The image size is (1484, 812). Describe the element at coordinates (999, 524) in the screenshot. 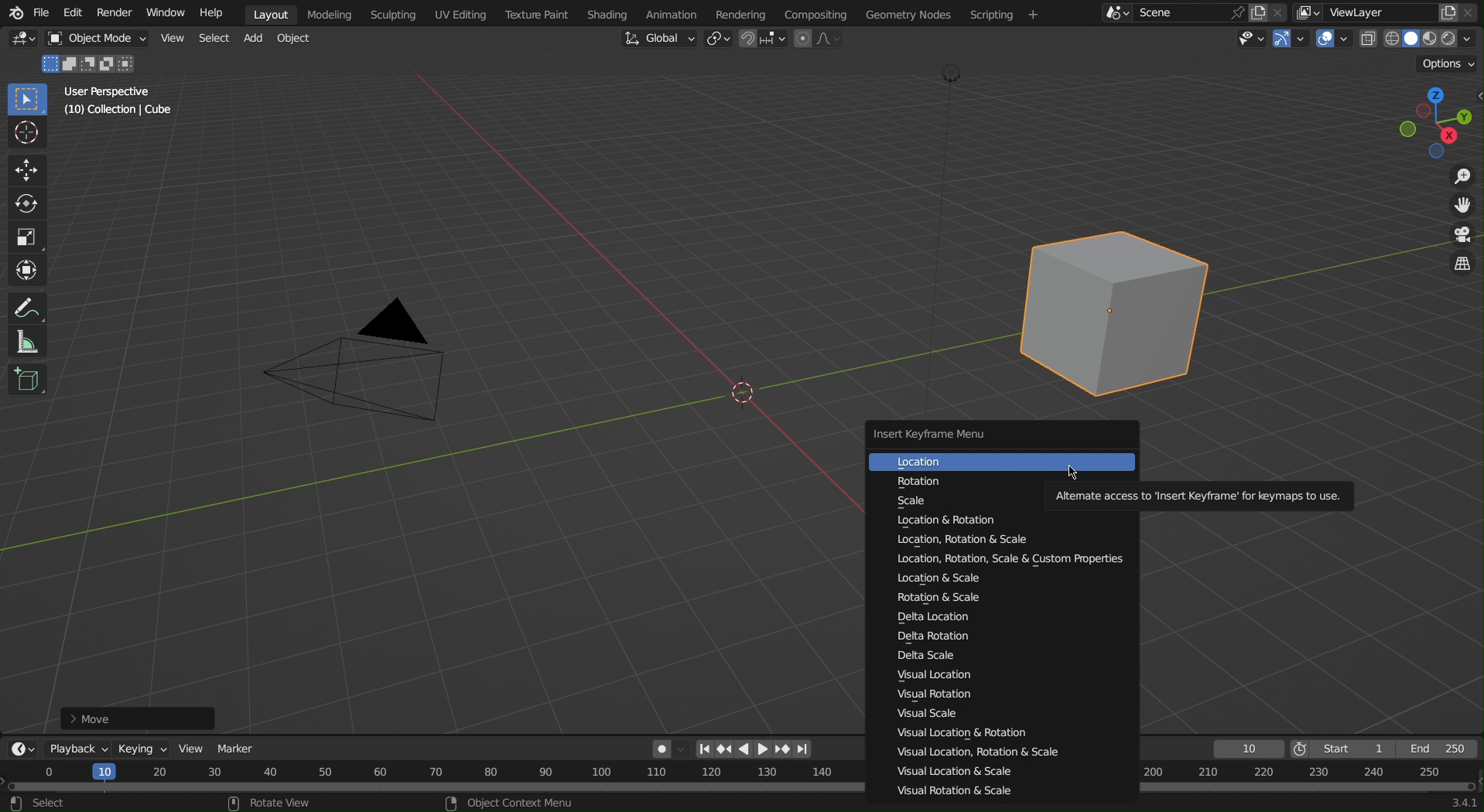

I see `Location` at that location.